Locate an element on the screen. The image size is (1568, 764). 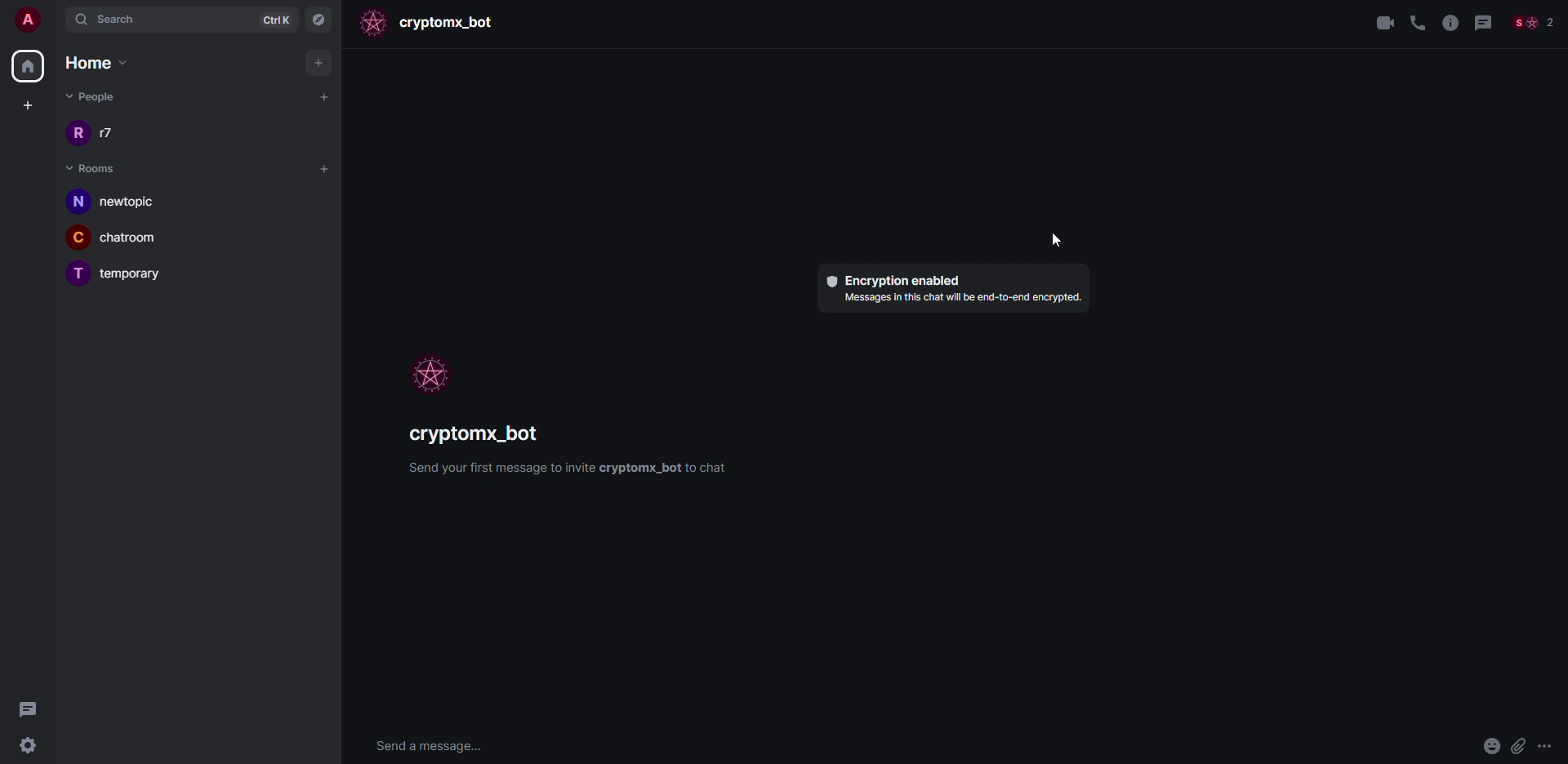
settings is located at coordinates (33, 744).